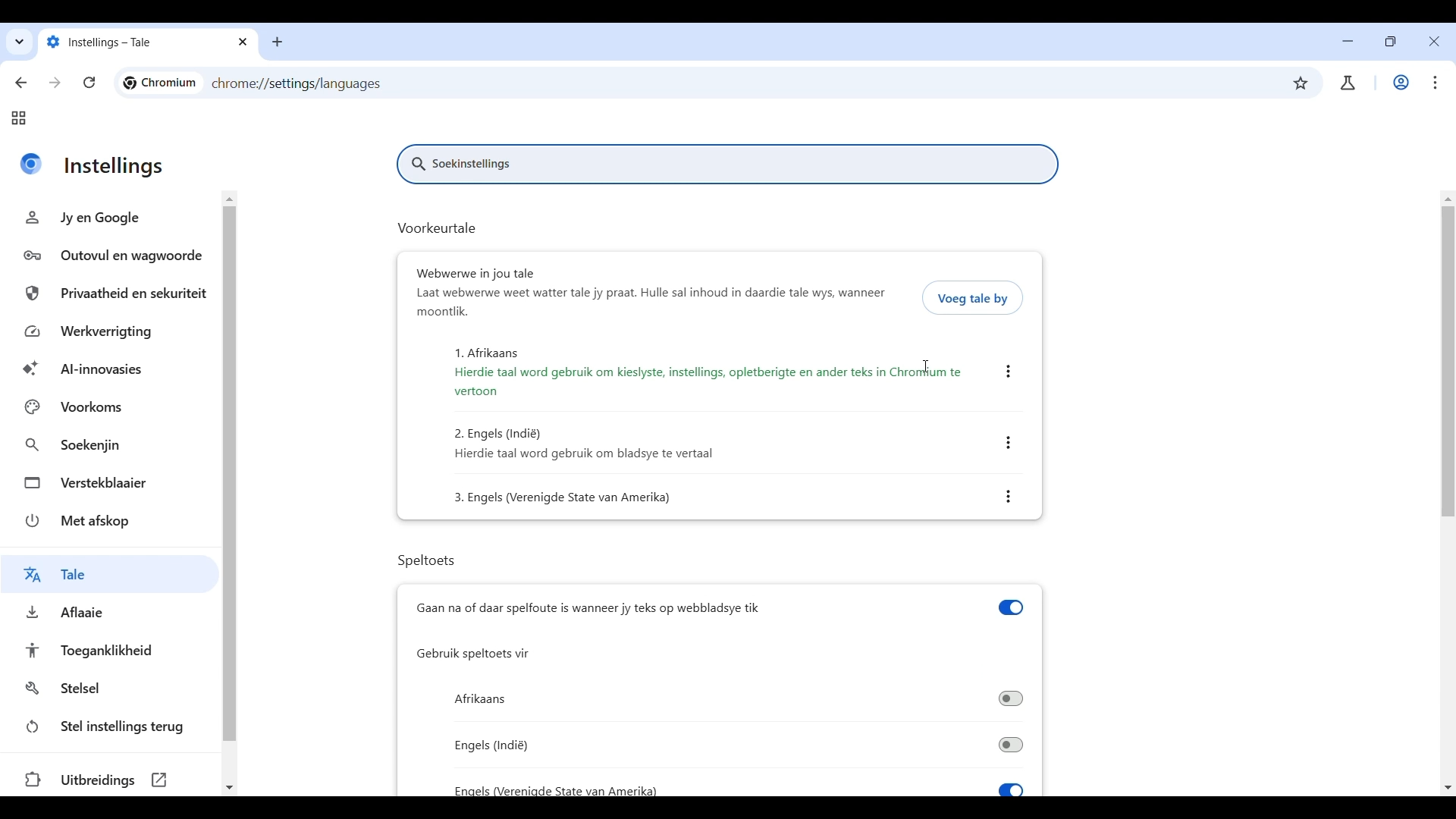 The height and width of the screenshot is (819, 1456). What do you see at coordinates (1006, 374) in the screenshot?
I see `more actions` at bounding box center [1006, 374].